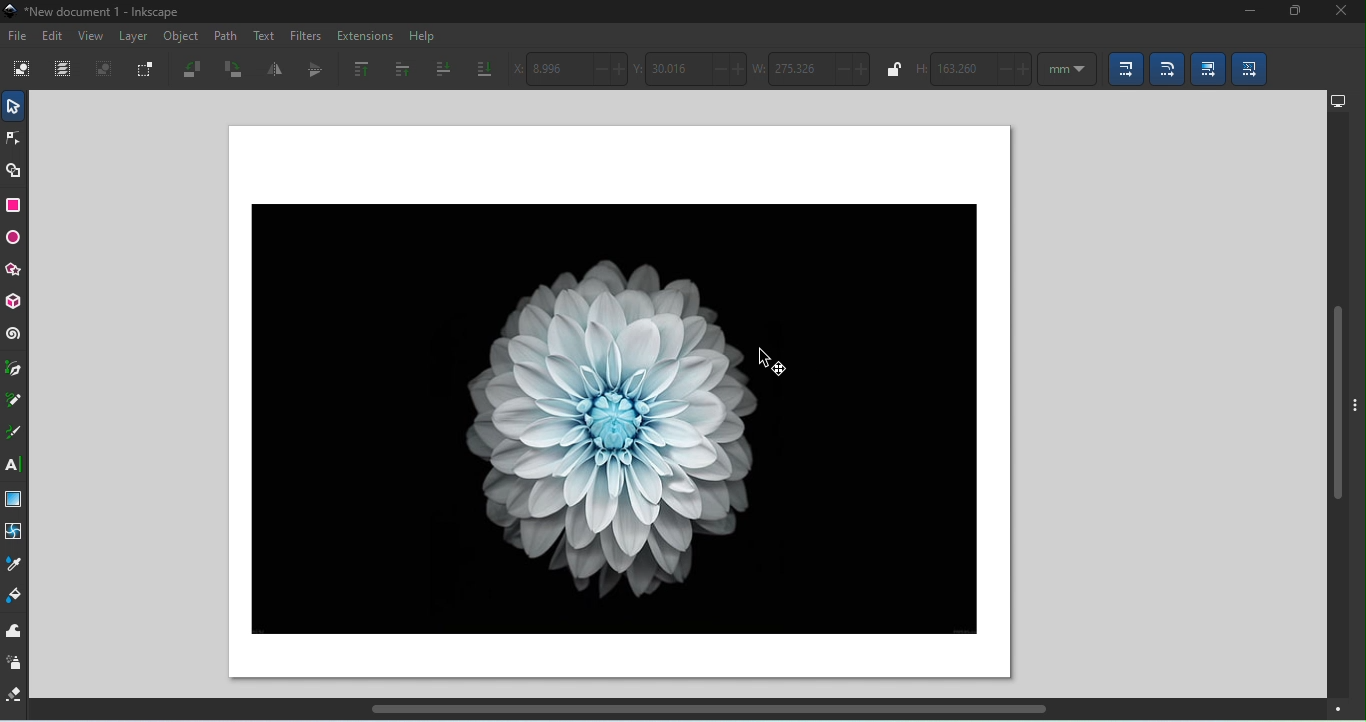 Image resolution: width=1366 pixels, height=722 pixels. I want to click on Select all objects, so click(22, 71).